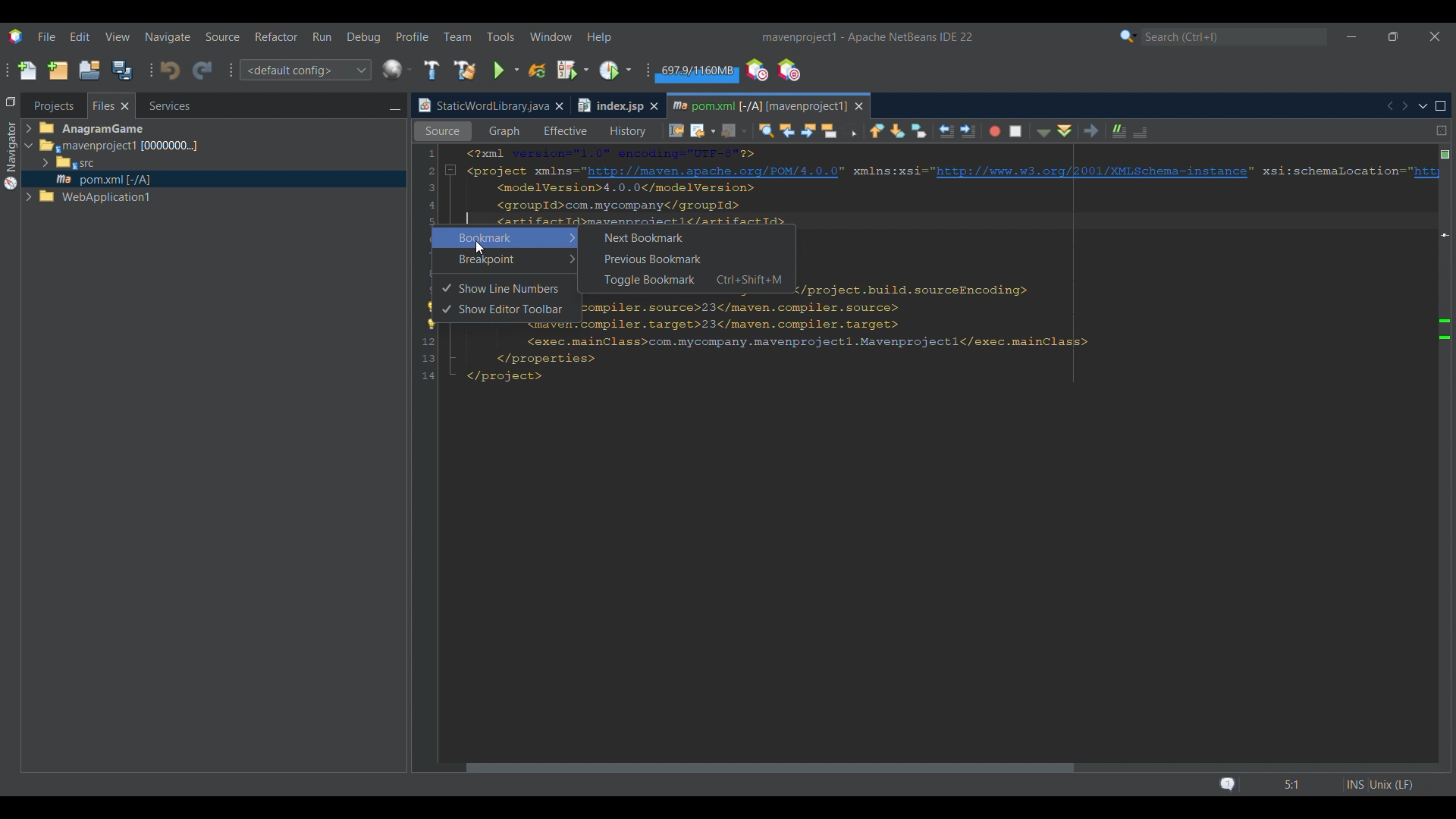  Describe the element at coordinates (413, 36) in the screenshot. I see `Profile menu` at that location.